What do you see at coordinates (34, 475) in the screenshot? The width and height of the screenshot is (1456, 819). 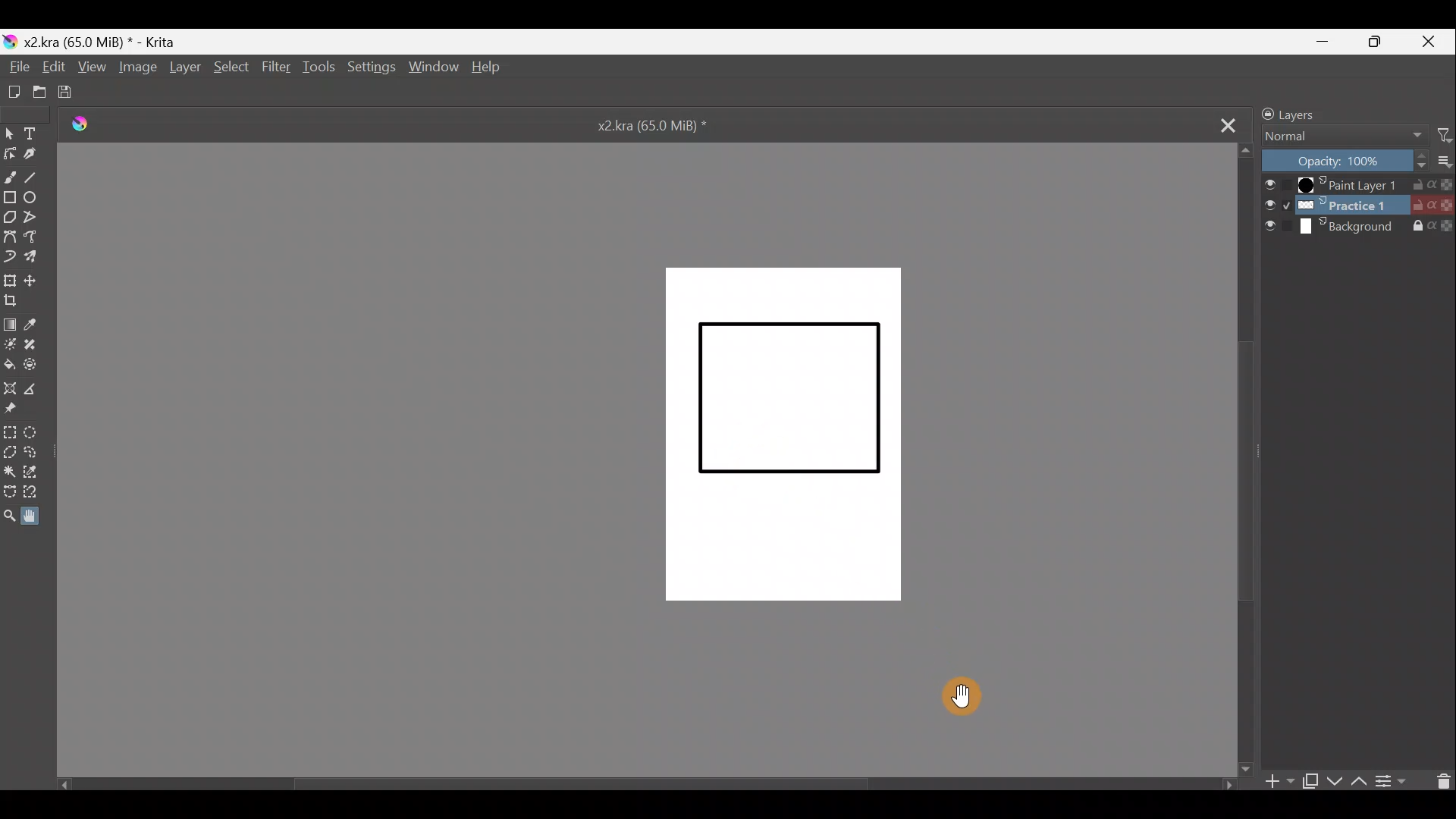 I see `Similar colour selection tool` at bounding box center [34, 475].